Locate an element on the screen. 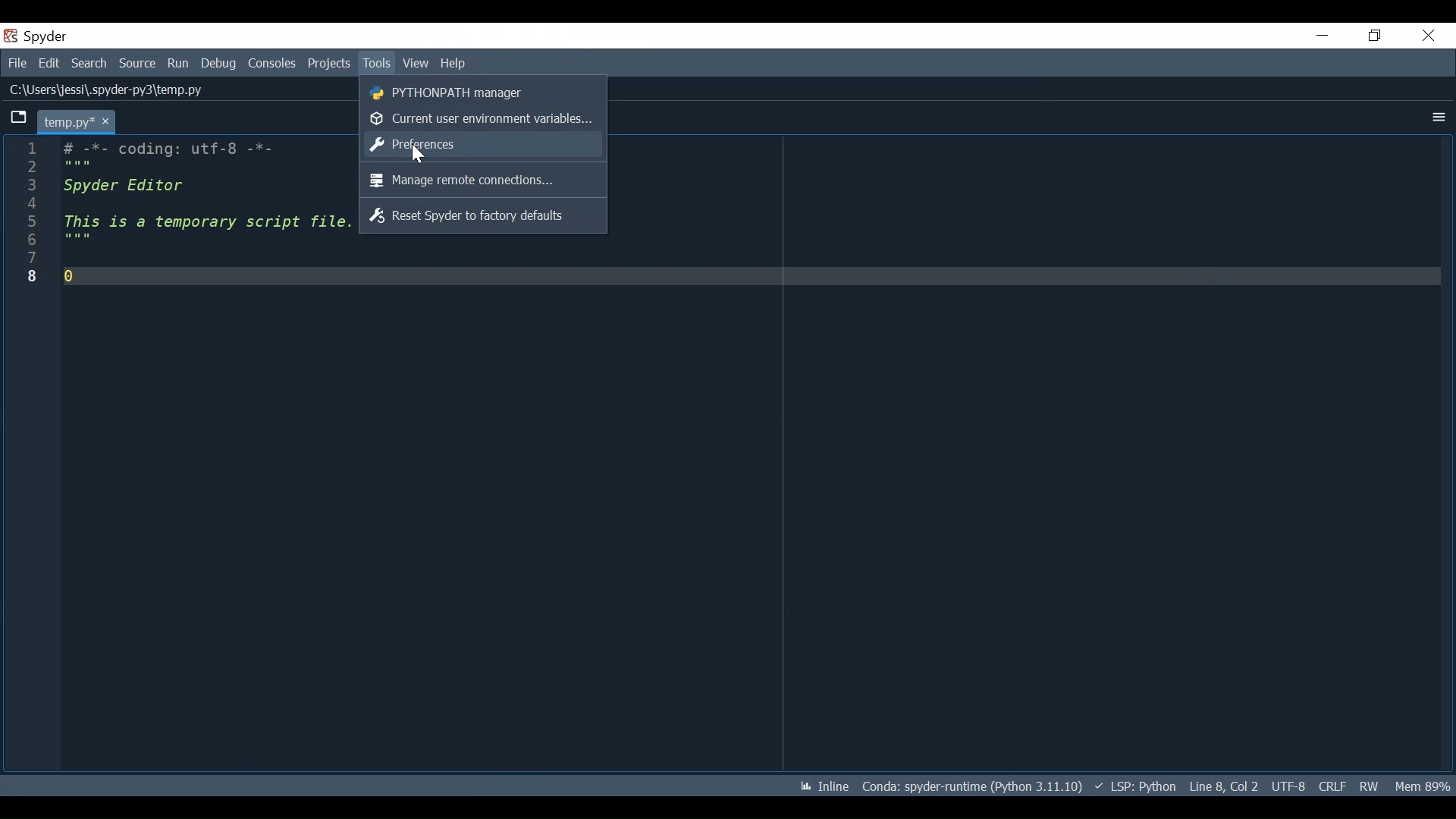 The image size is (1456, 819). More Options is located at coordinates (1437, 115).